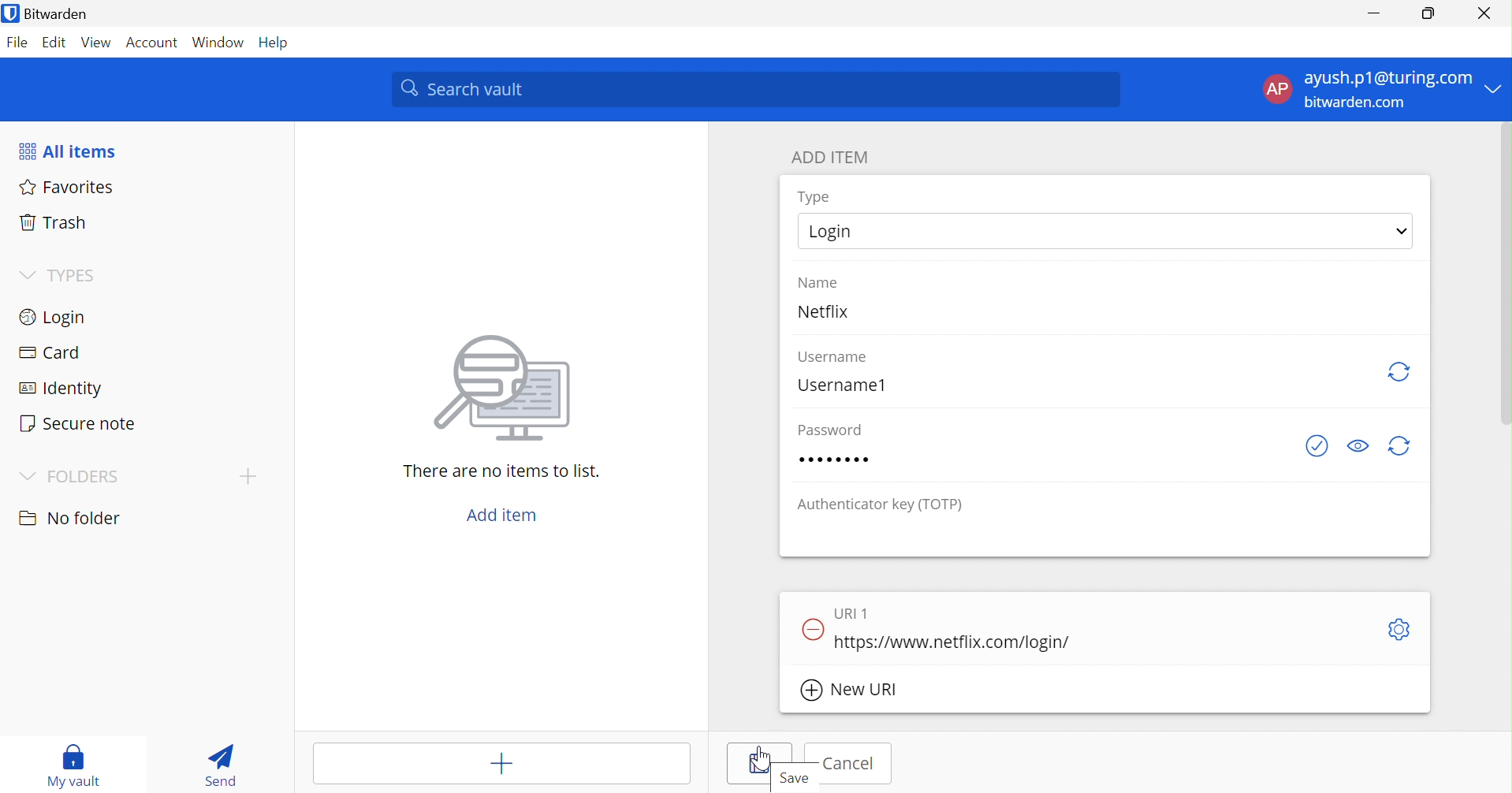 This screenshot has width=1512, height=793. Describe the element at coordinates (1108, 230) in the screenshot. I see `Login` at that location.